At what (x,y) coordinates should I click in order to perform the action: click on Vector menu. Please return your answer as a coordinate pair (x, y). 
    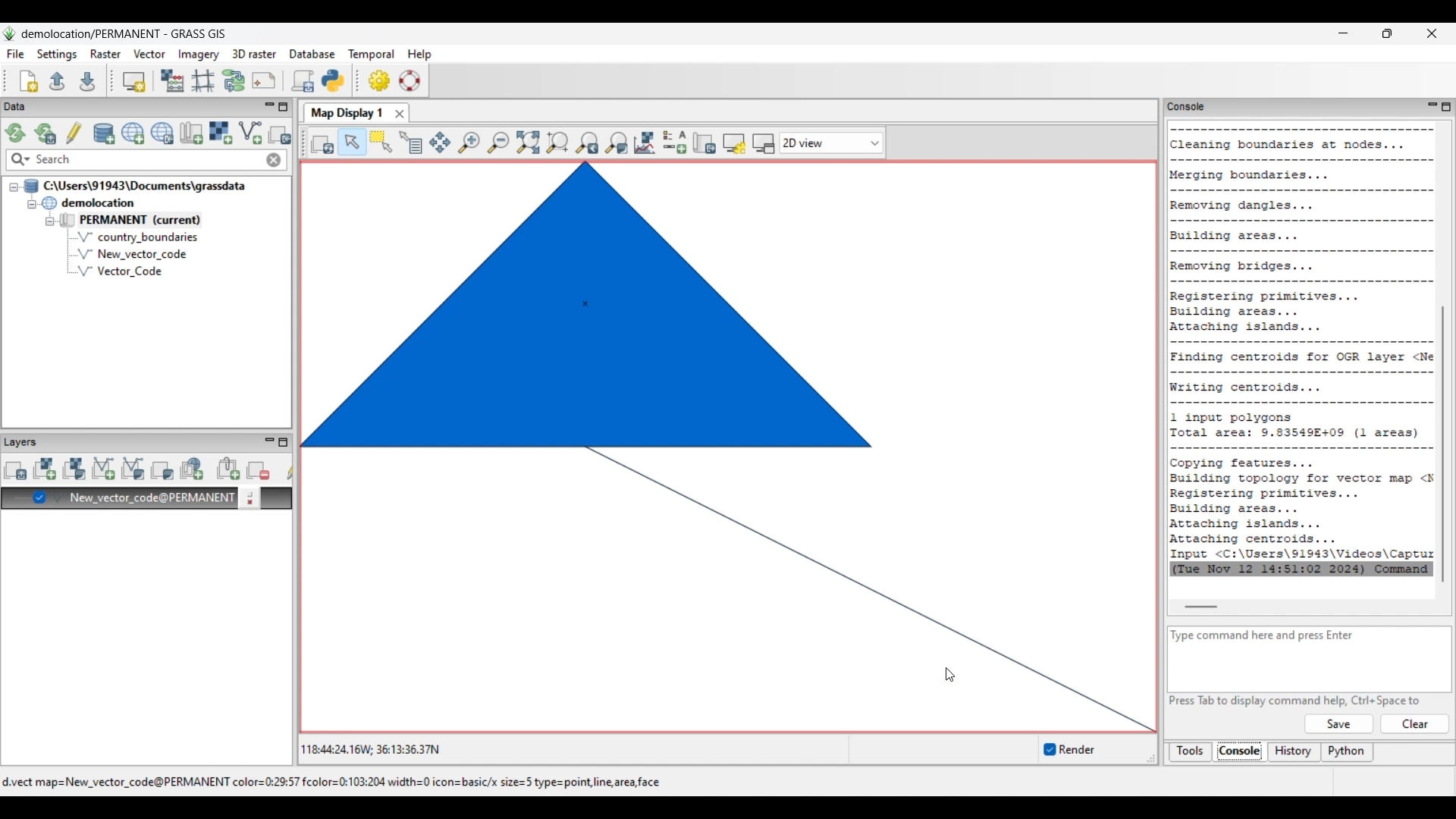
    Looking at the image, I should click on (149, 54).